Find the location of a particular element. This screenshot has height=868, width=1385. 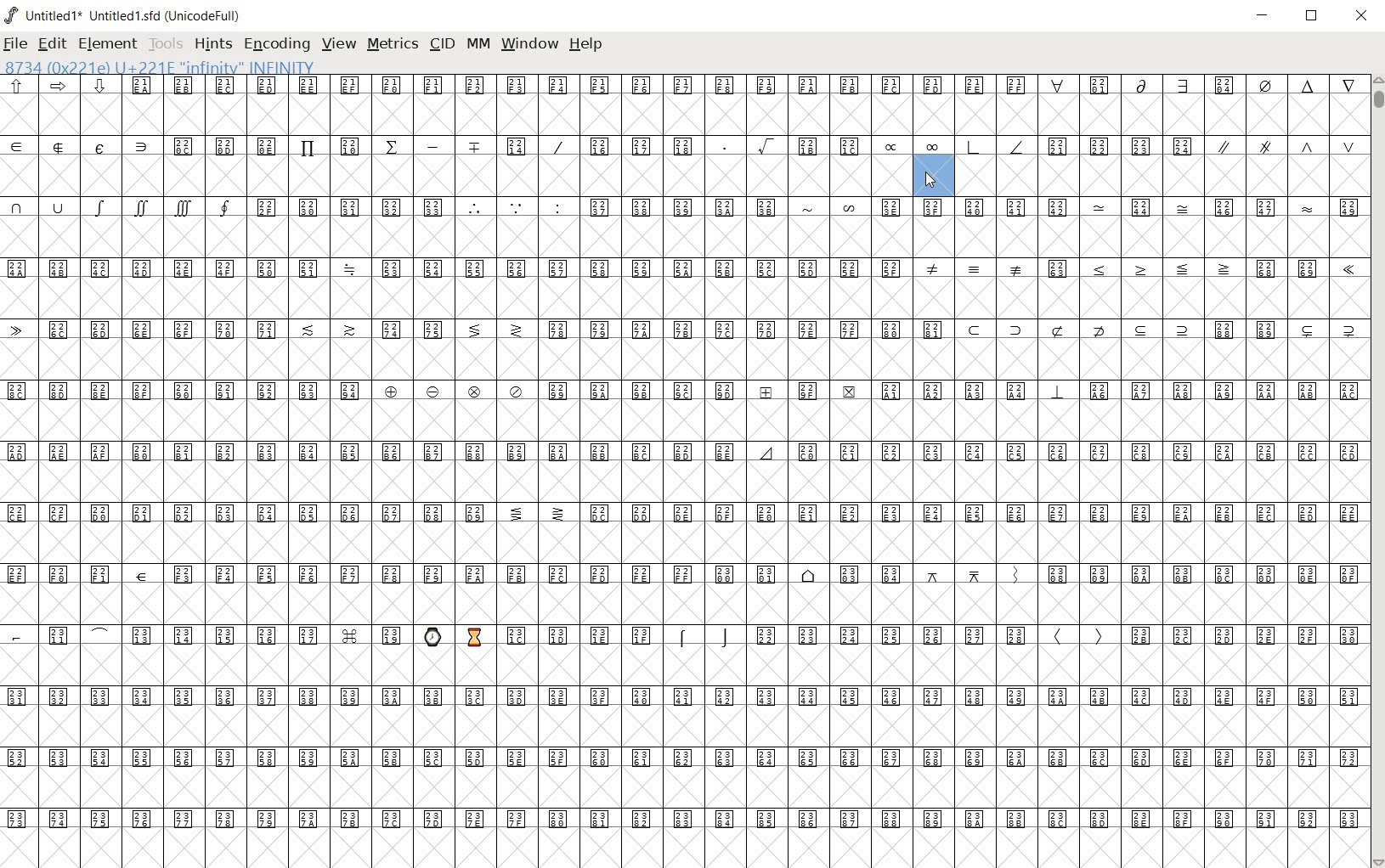

mm is located at coordinates (477, 45).